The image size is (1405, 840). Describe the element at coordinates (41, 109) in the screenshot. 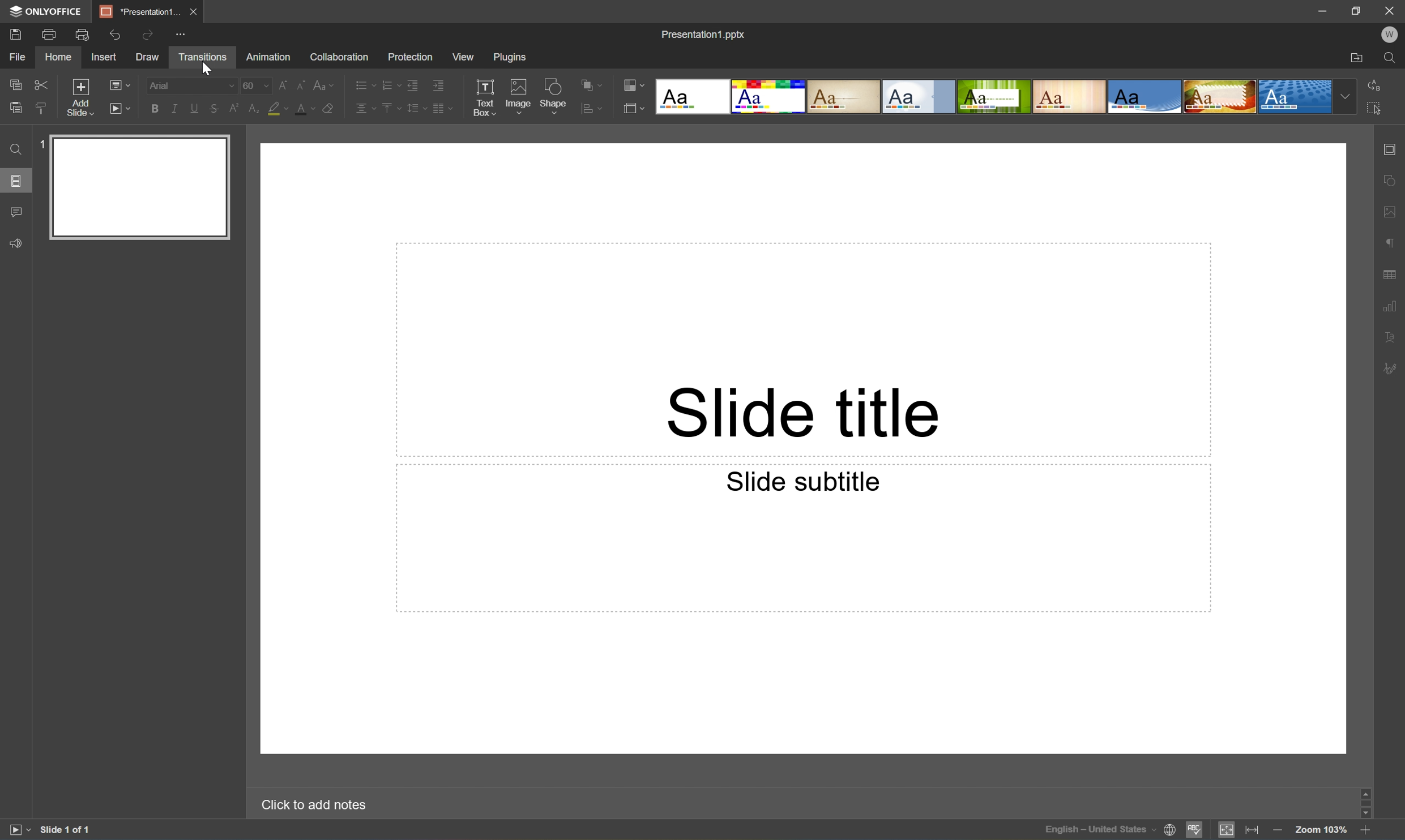

I see `Copy style` at that location.